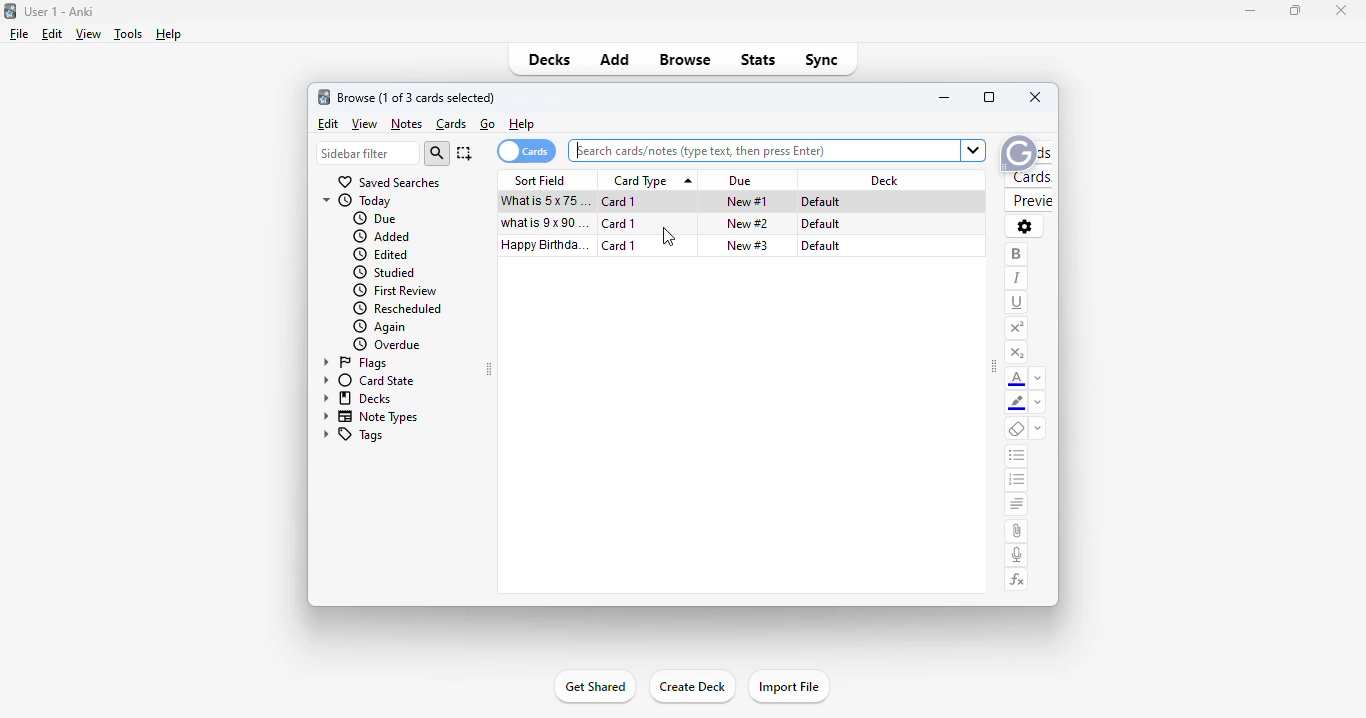  I want to click on card 1, so click(621, 224).